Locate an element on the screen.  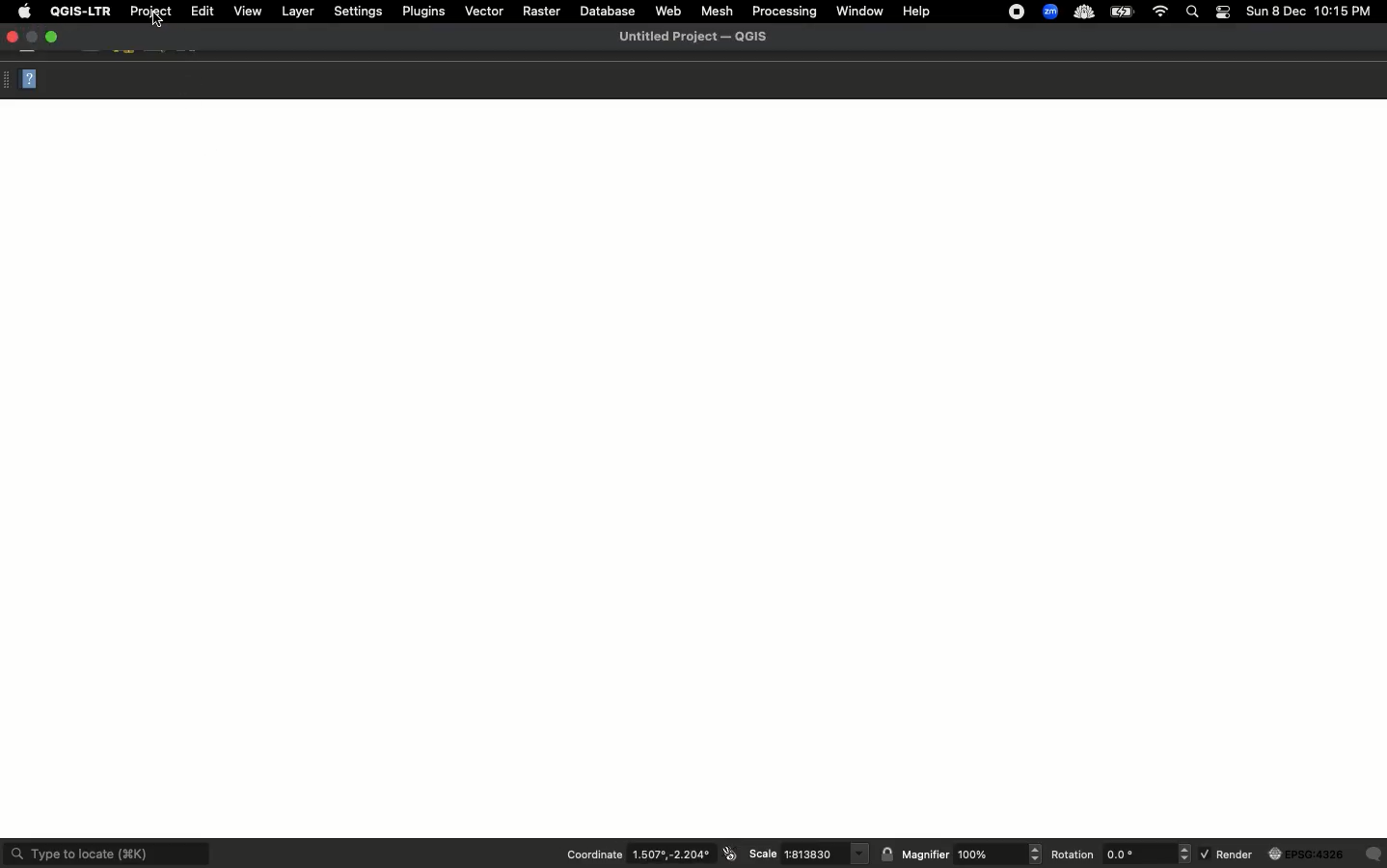
Search is located at coordinates (1194, 13).